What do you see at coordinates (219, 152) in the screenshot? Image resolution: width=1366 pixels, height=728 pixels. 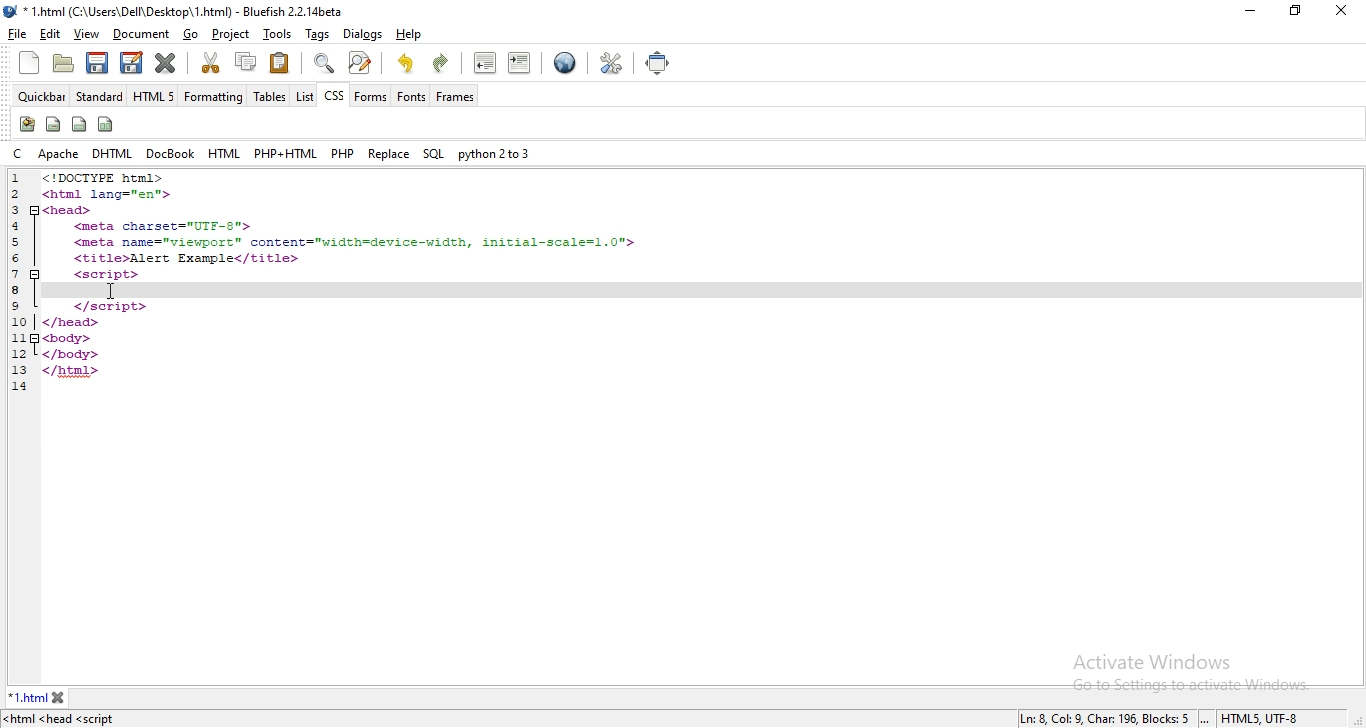 I see `html` at bounding box center [219, 152].